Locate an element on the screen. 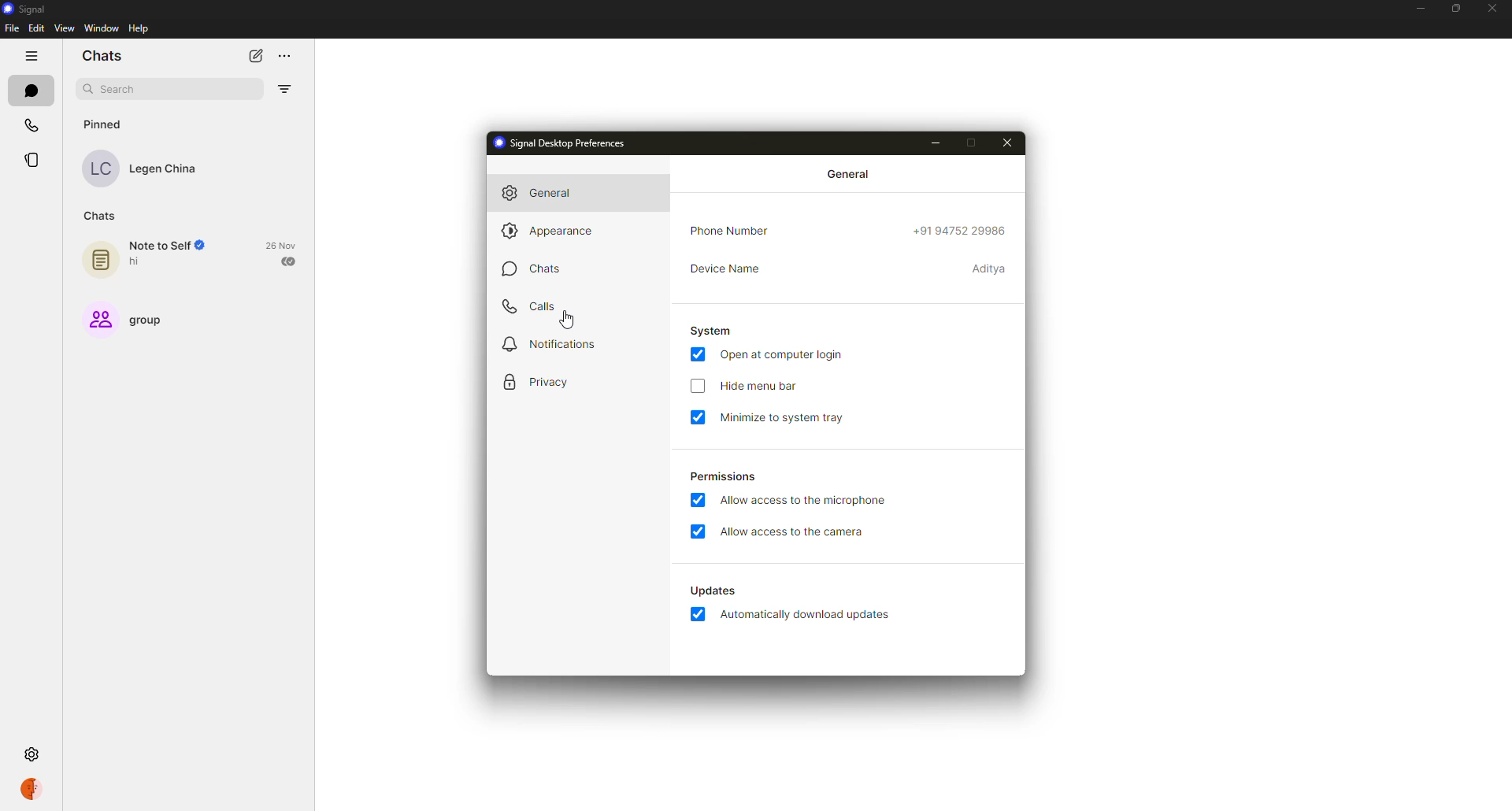 Image resolution: width=1512 pixels, height=811 pixels. system is located at coordinates (713, 330).